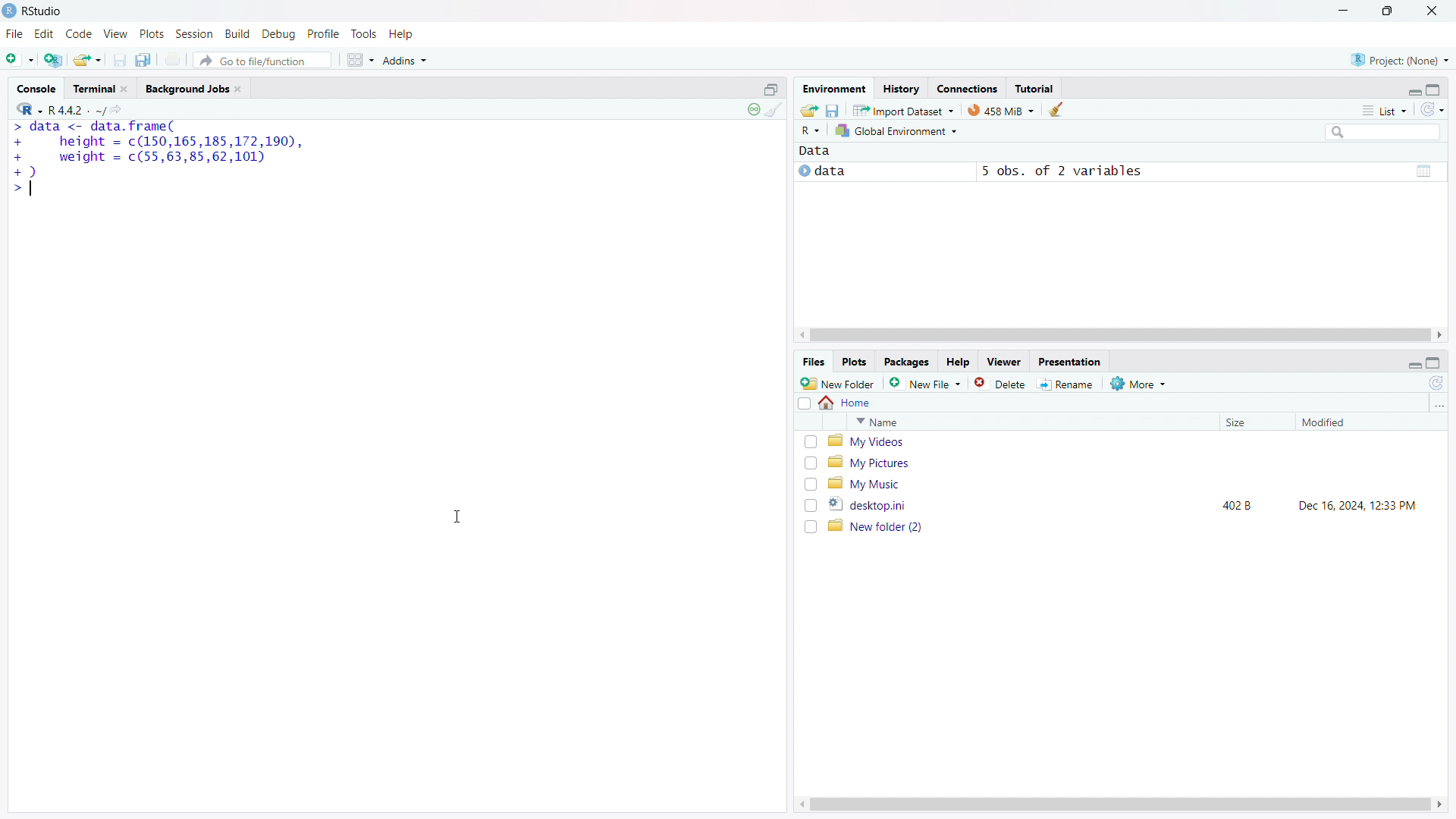 This screenshot has height=819, width=1456. I want to click on open new console, so click(771, 88).